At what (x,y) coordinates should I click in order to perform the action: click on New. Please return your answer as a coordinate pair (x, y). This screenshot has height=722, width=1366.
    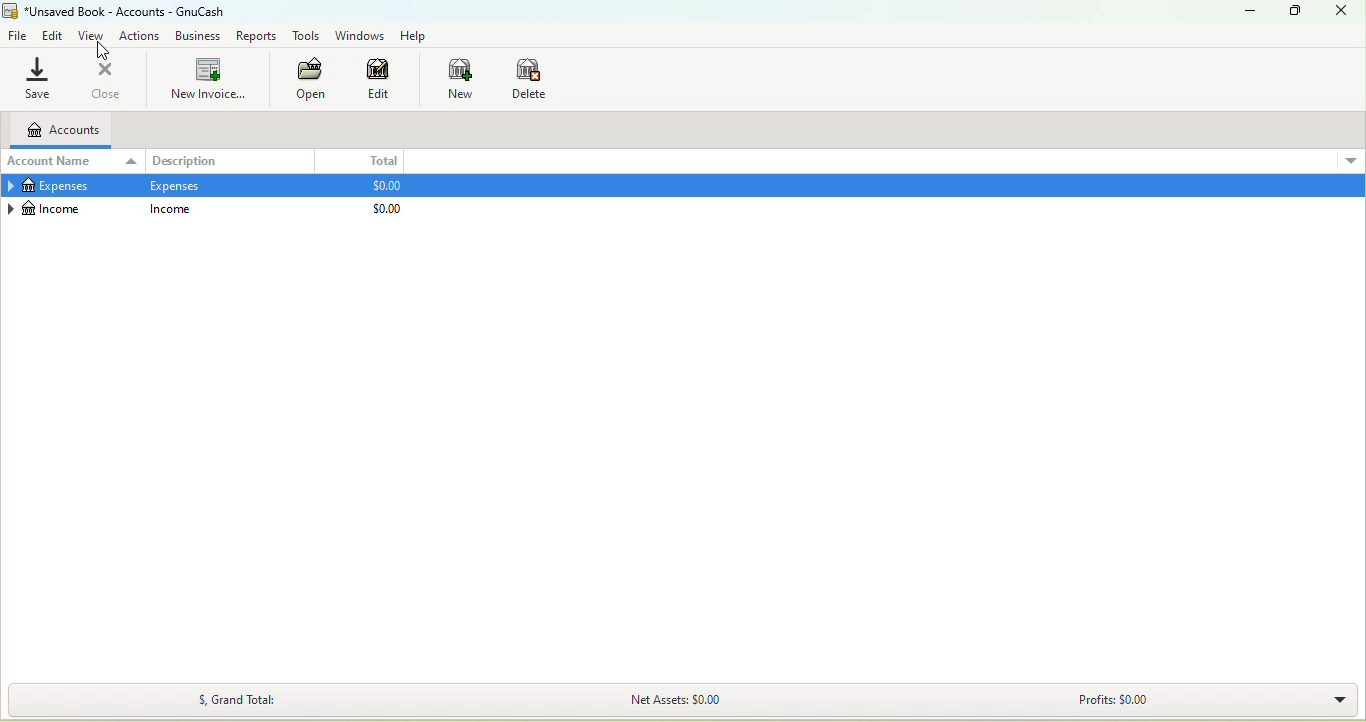
    Looking at the image, I should click on (459, 80).